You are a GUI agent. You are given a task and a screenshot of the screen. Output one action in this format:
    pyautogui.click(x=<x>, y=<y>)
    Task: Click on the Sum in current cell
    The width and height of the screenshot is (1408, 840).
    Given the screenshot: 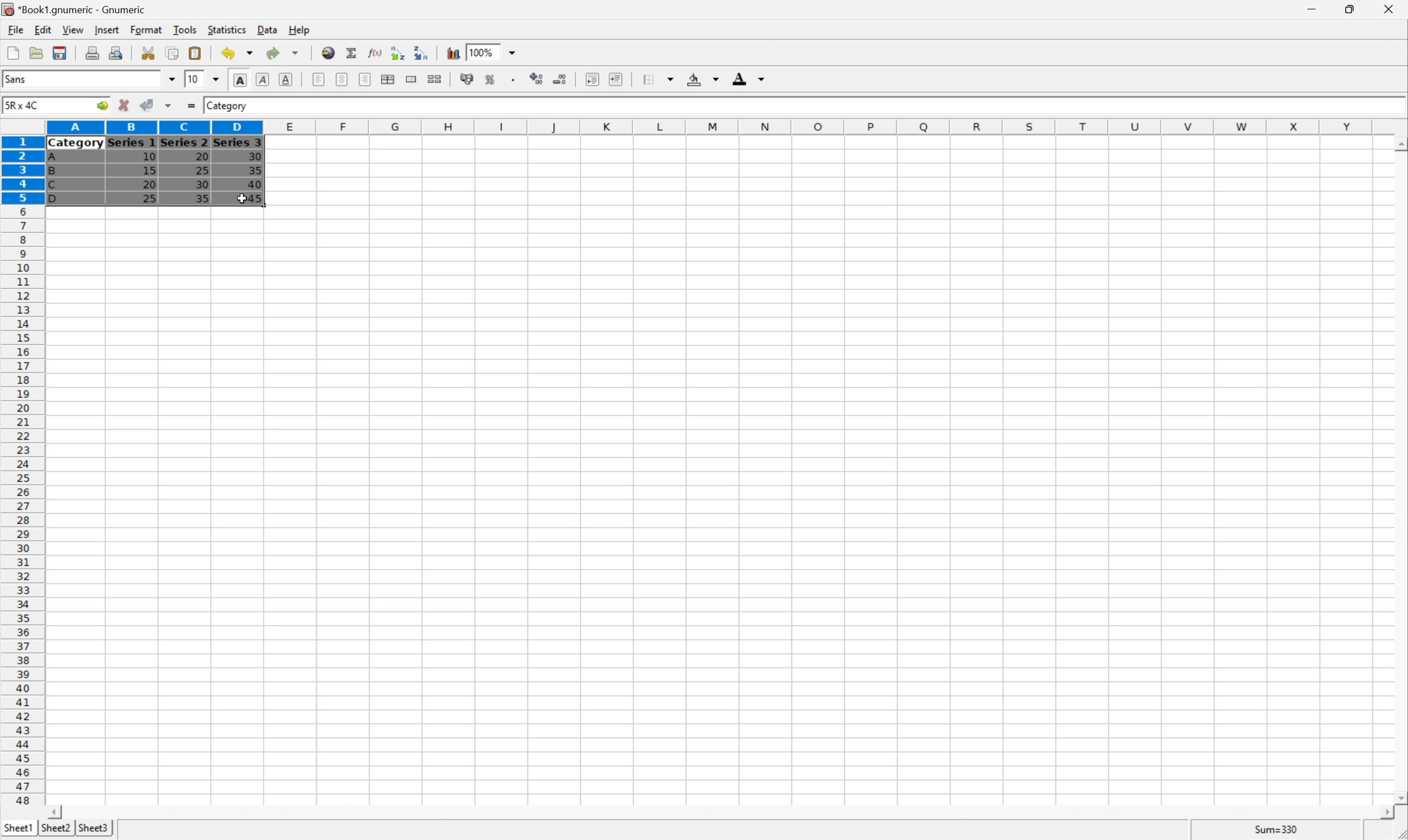 What is the action you would take?
    pyautogui.click(x=353, y=53)
    